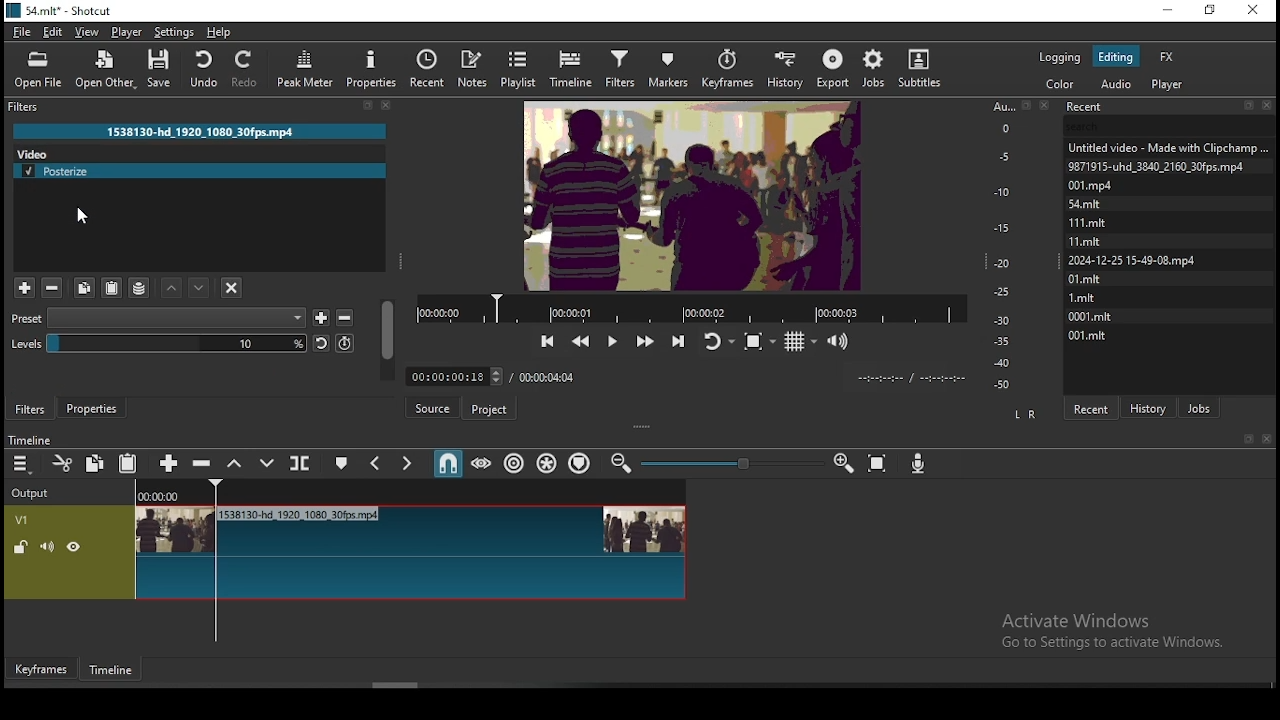 The width and height of the screenshot is (1280, 720). I want to click on 11.mit, so click(1083, 240).